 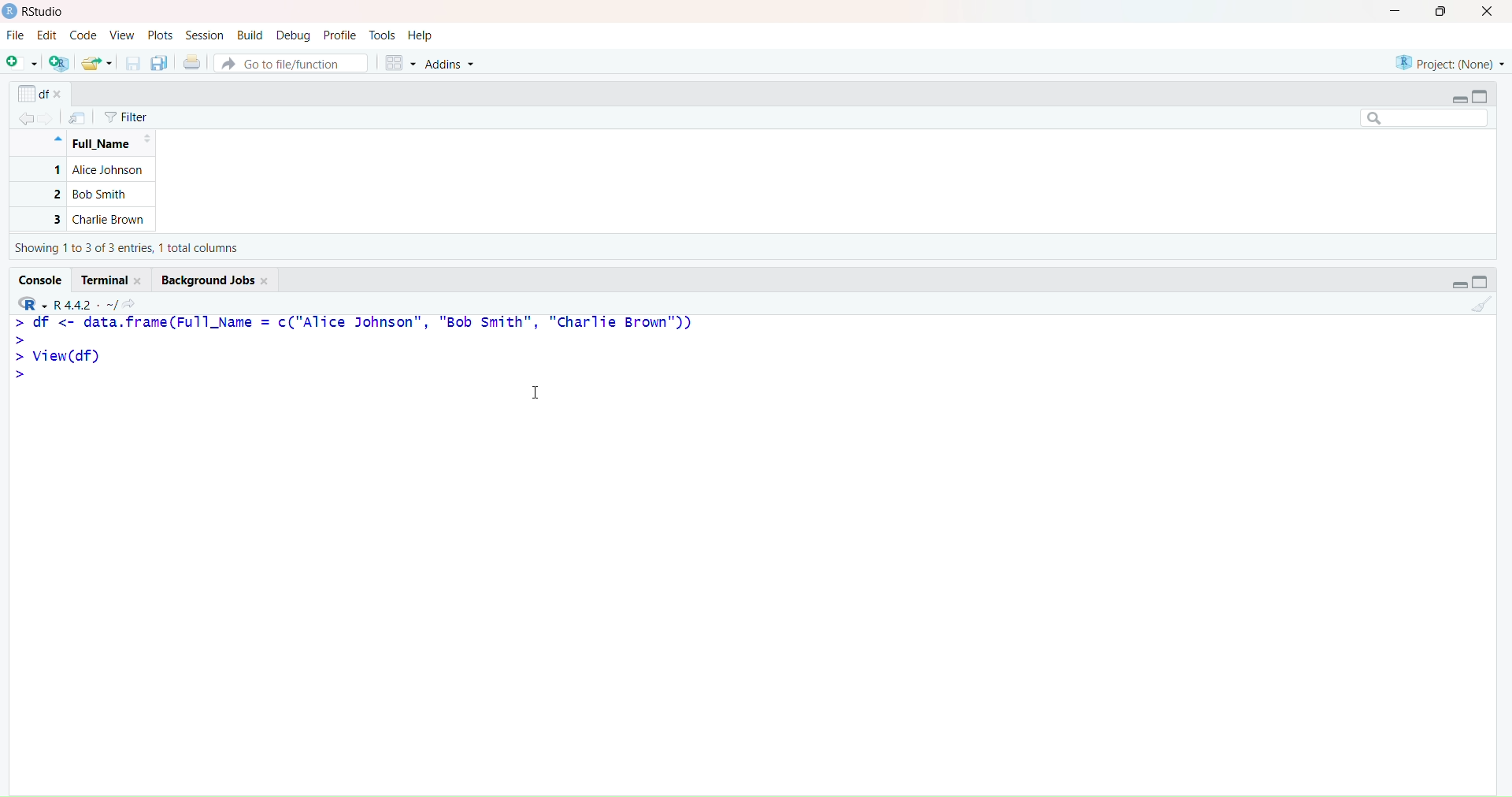 What do you see at coordinates (46, 35) in the screenshot?
I see `Edit` at bounding box center [46, 35].